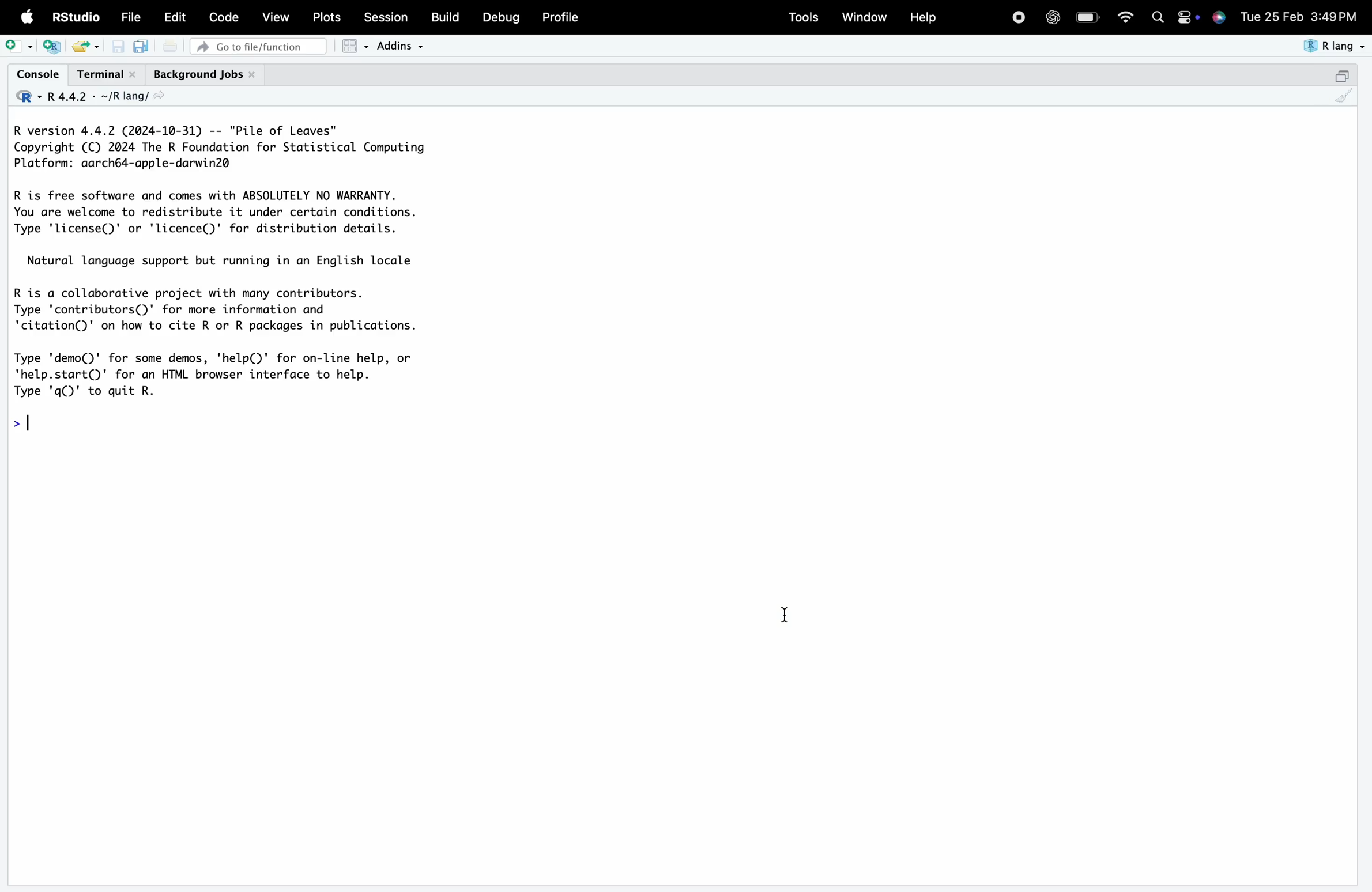 The height and width of the screenshot is (892, 1372). I want to click on view the current working directory, so click(158, 96).